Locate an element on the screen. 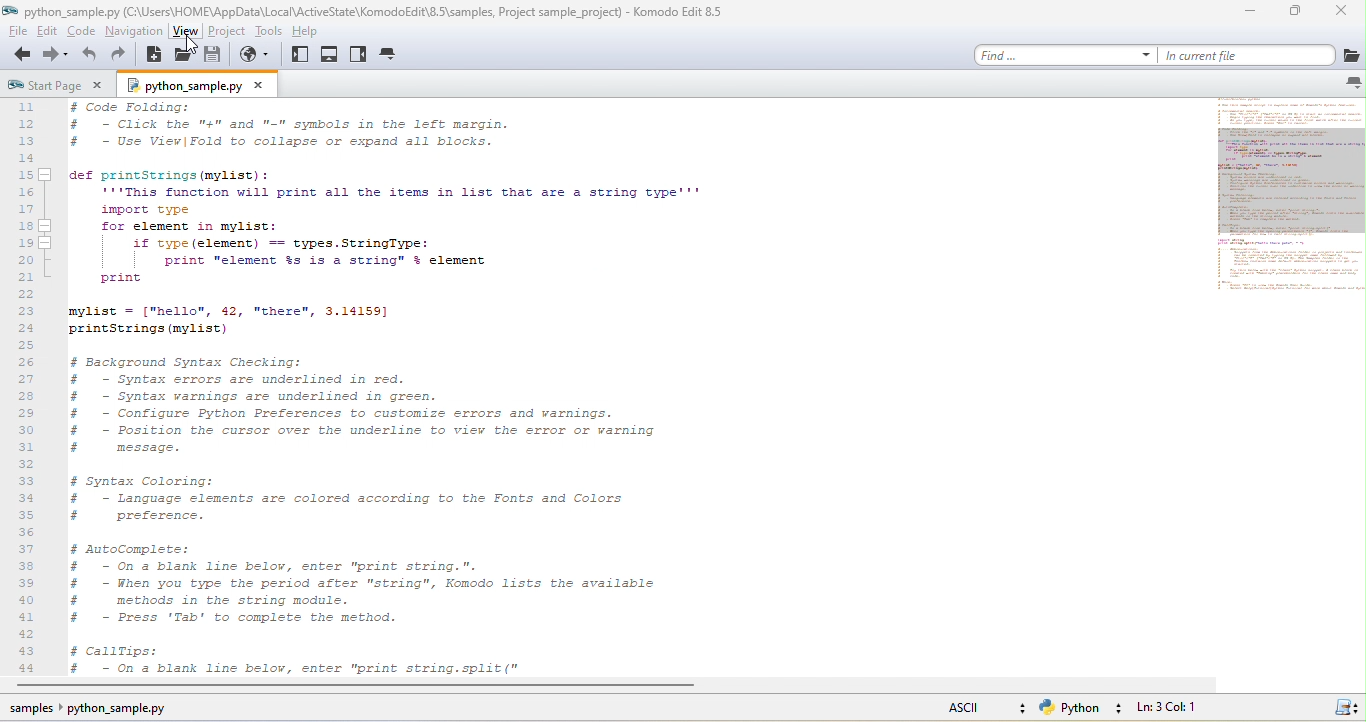 This screenshot has height=722, width=1366. bottom pane is located at coordinates (330, 54).